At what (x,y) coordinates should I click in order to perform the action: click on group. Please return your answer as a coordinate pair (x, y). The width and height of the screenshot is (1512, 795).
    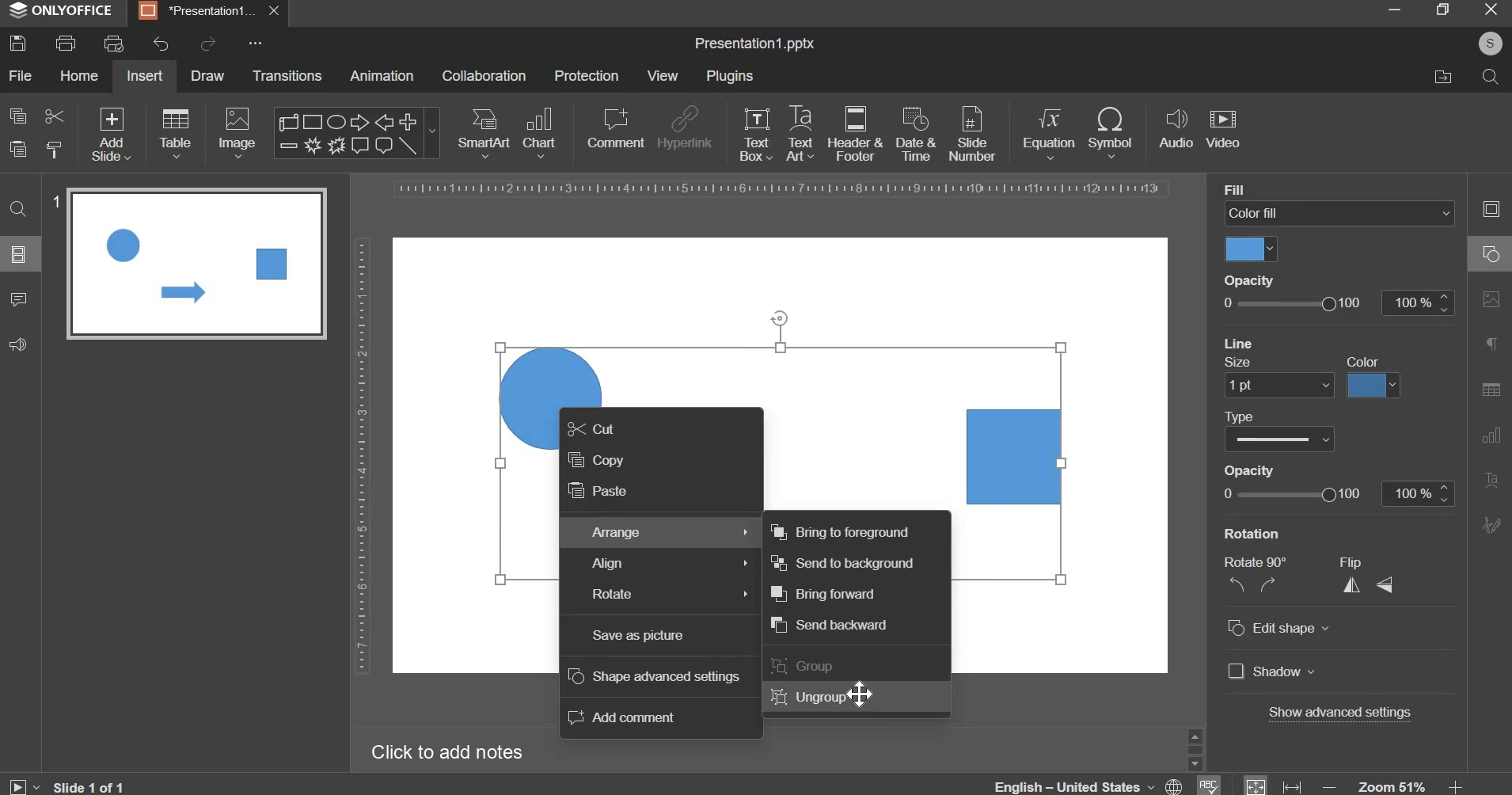
    Looking at the image, I should click on (805, 666).